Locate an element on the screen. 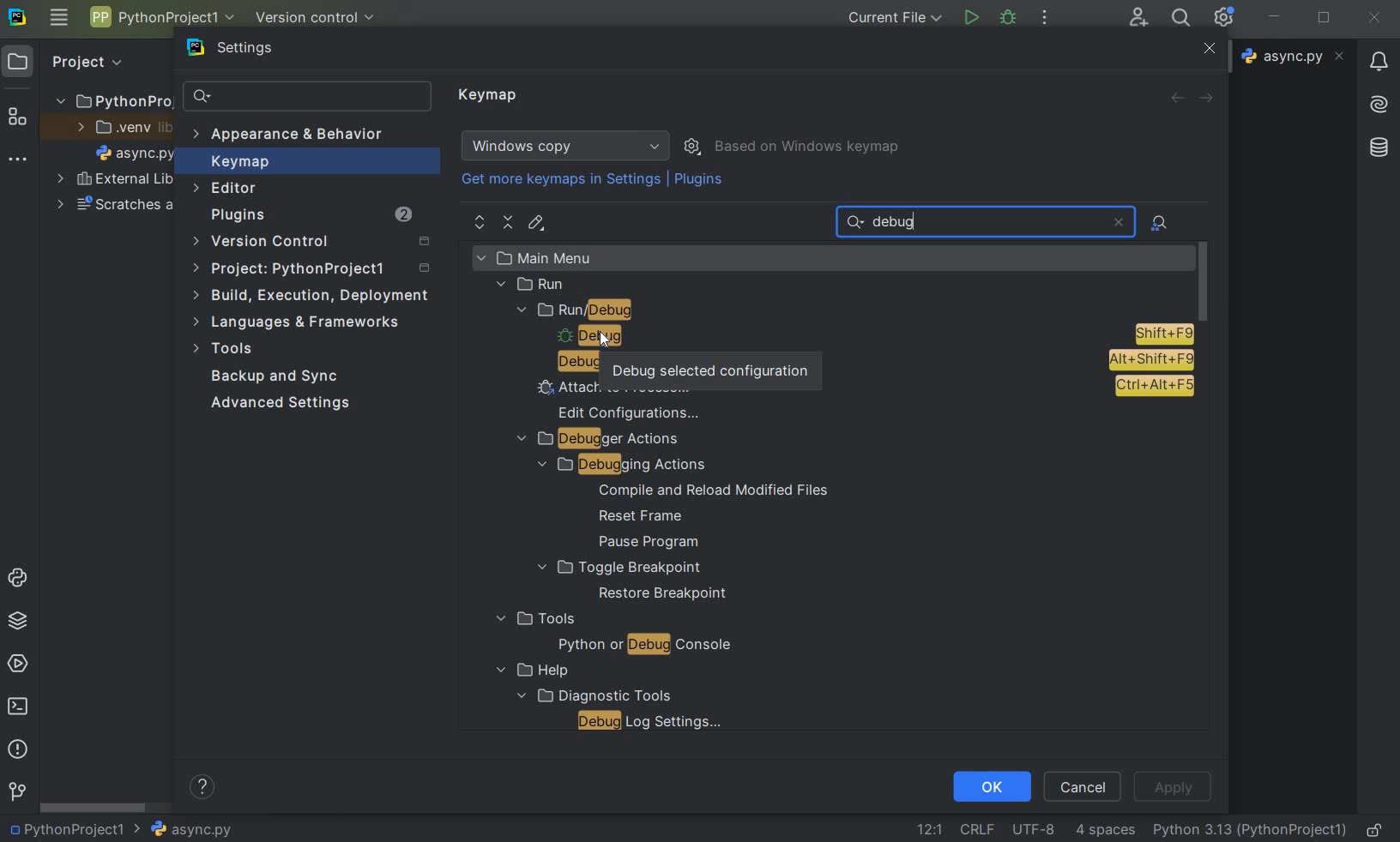 The width and height of the screenshot is (1400, 842). project icon is located at coordinates (18, 60).